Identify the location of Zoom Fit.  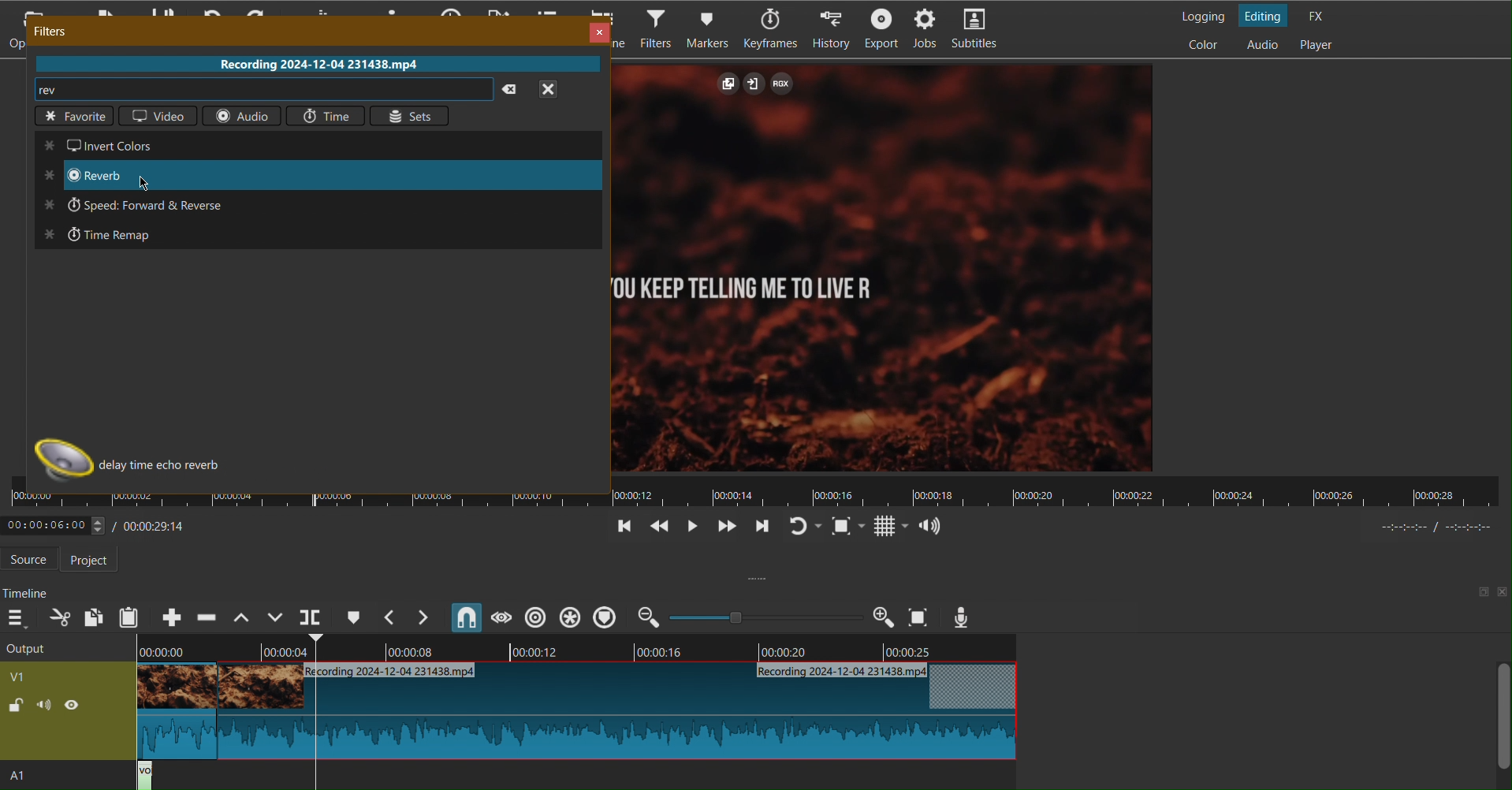
(919, 617).